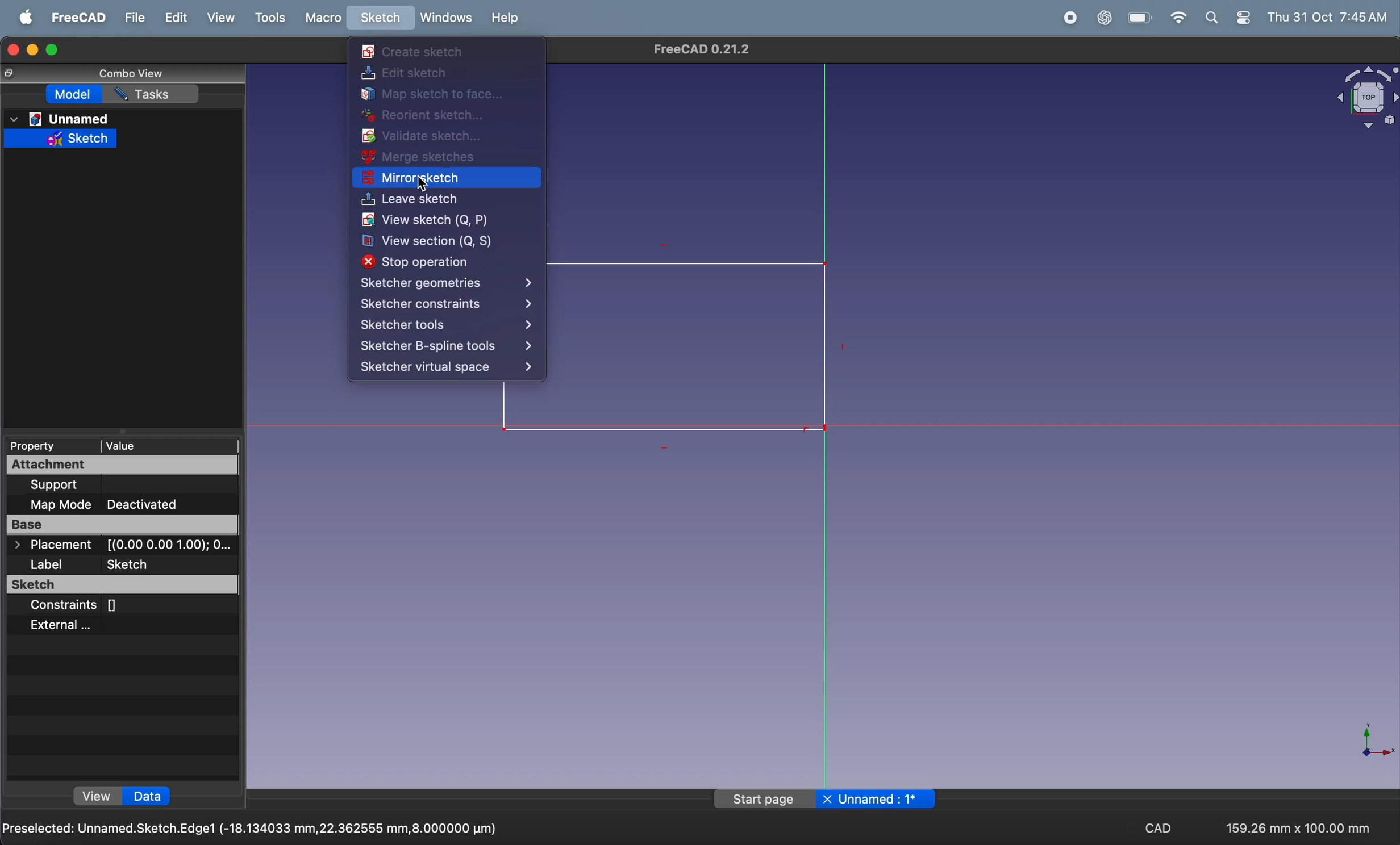 This screenshot has width=1400, height=845. I want to click on combo view, so click(131, 73).